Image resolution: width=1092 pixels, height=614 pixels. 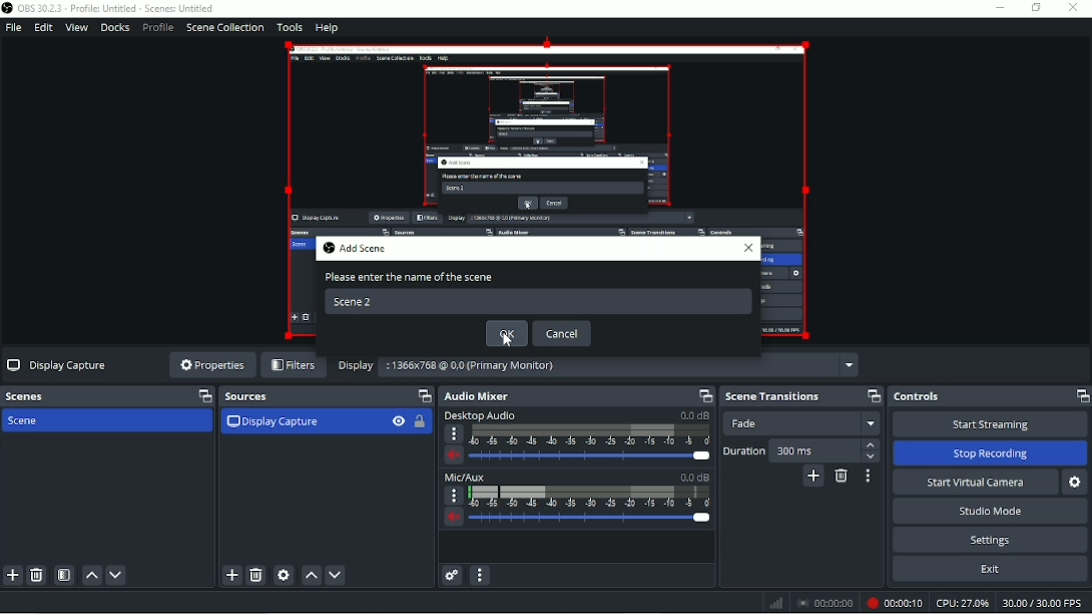 What do you see at coordinates (452, 576) in the screenshot?
I see `Advanced audio properties` at bounding box center [452, 576].